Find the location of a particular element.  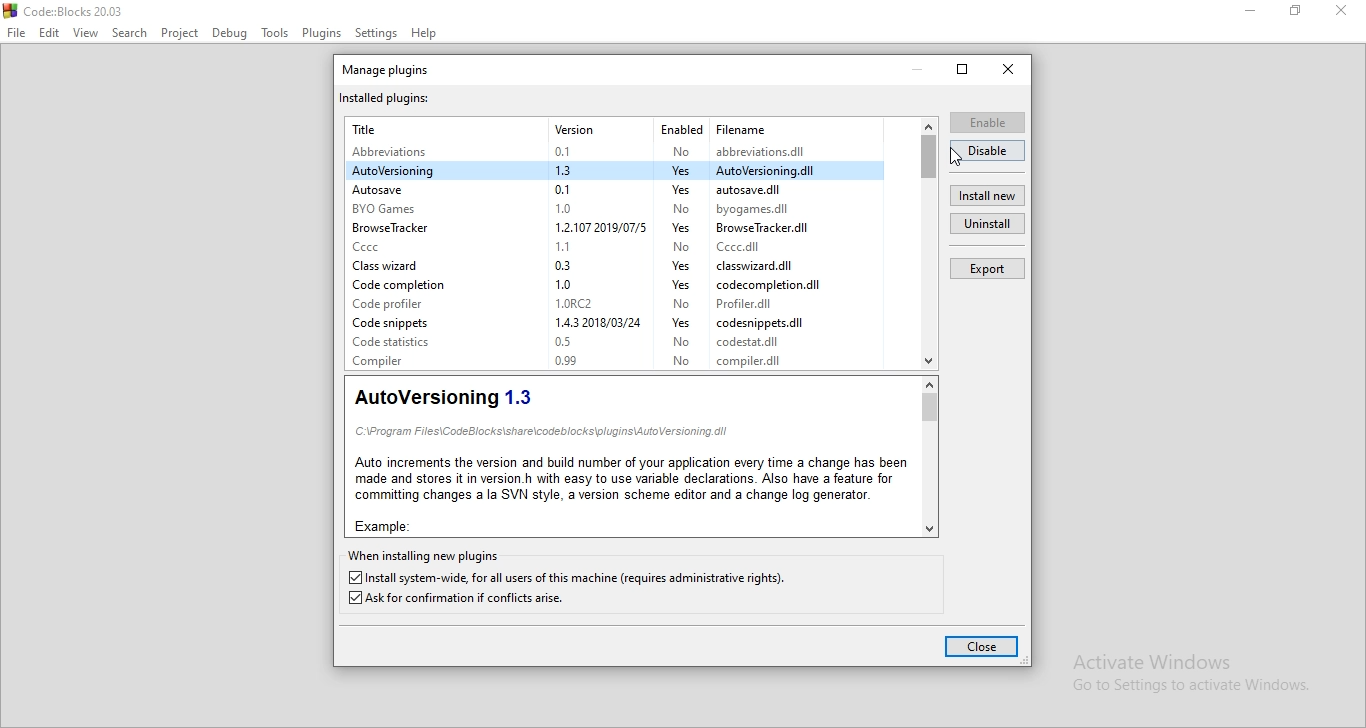

Version is located at coordinates (576, 129).